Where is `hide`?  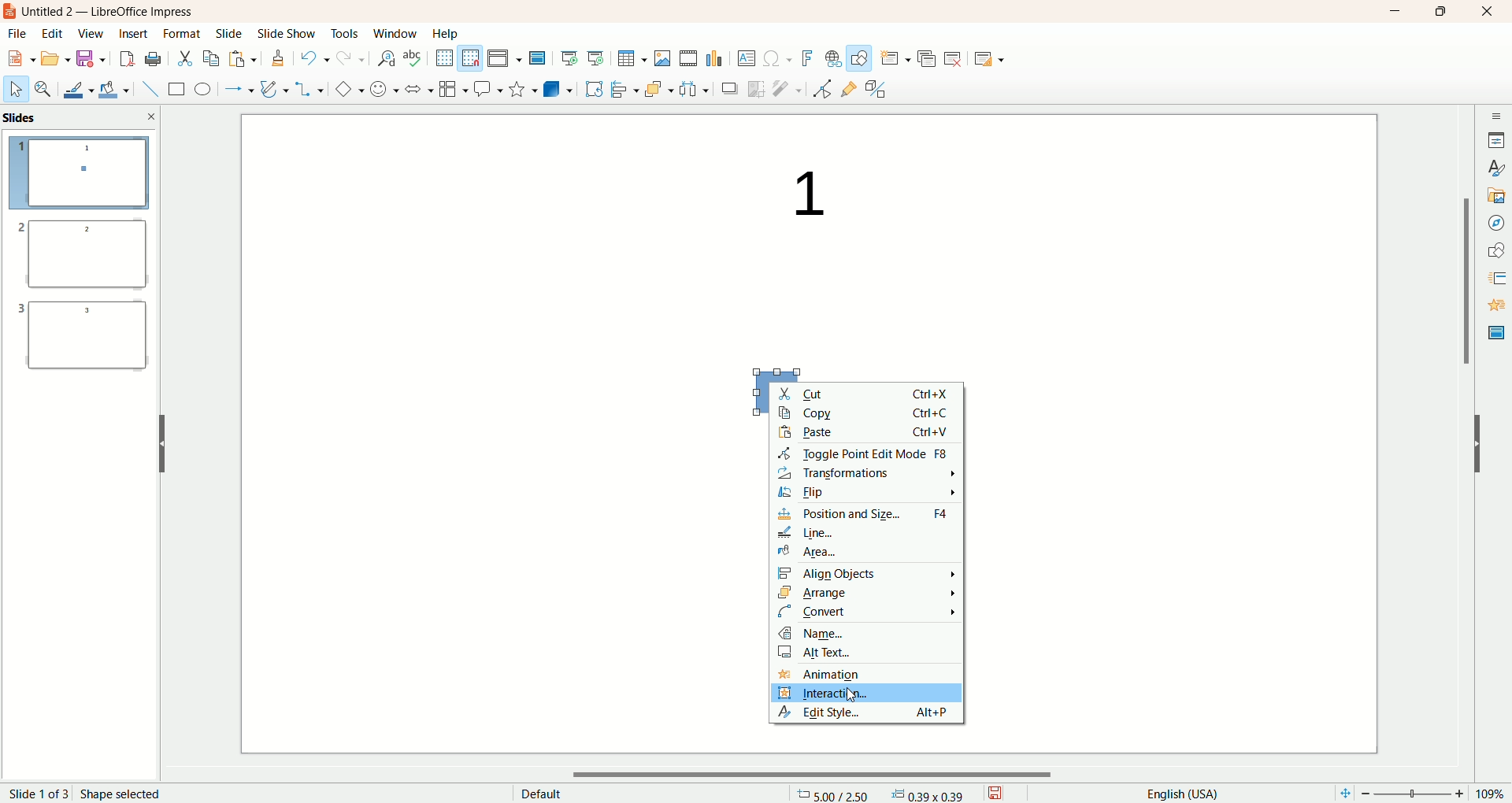 hide is located at coordinates (161, 441).